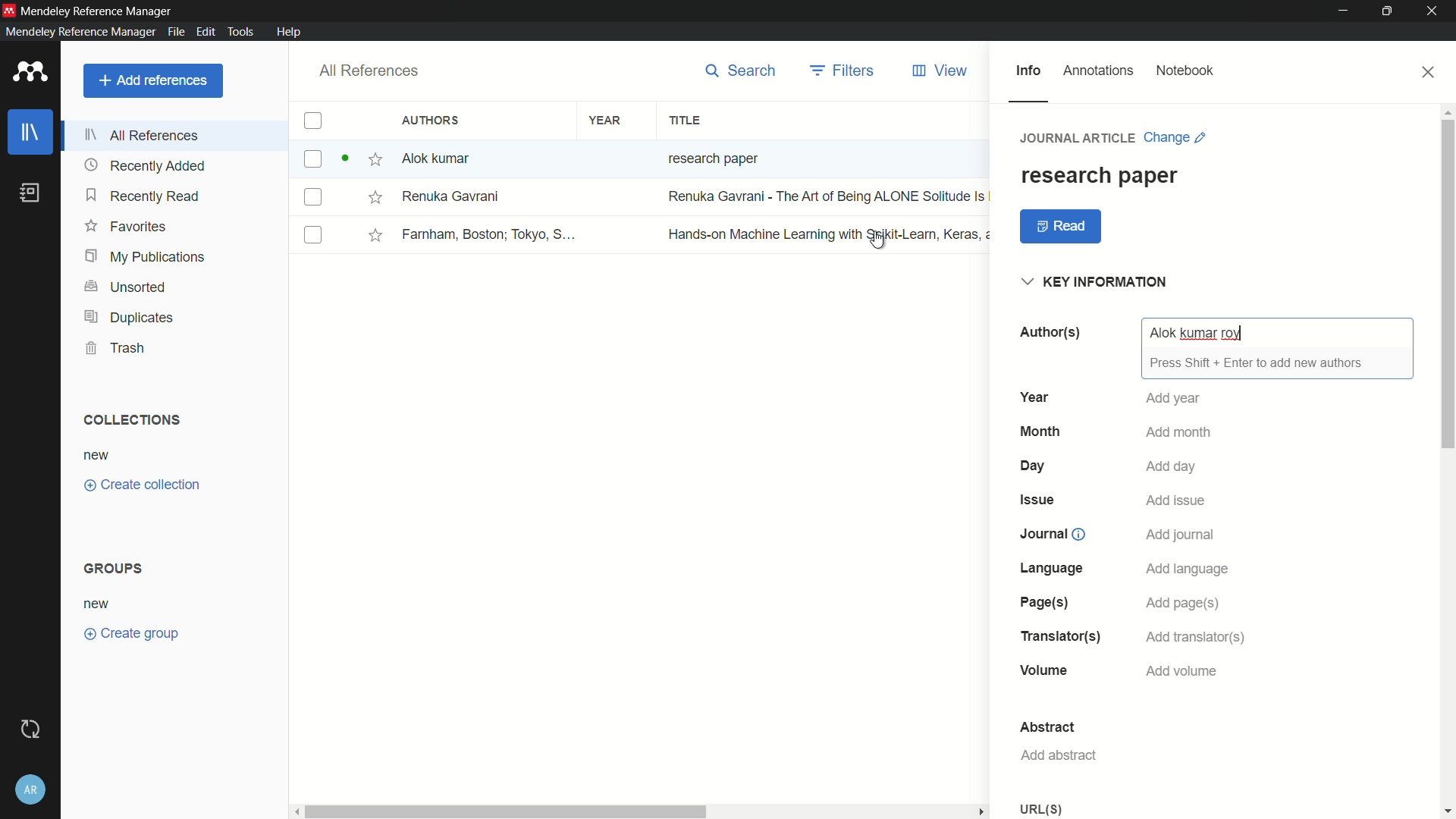  Describe the element at coordinates (174, 31) in the screenshot. I see `file menu` at that location.